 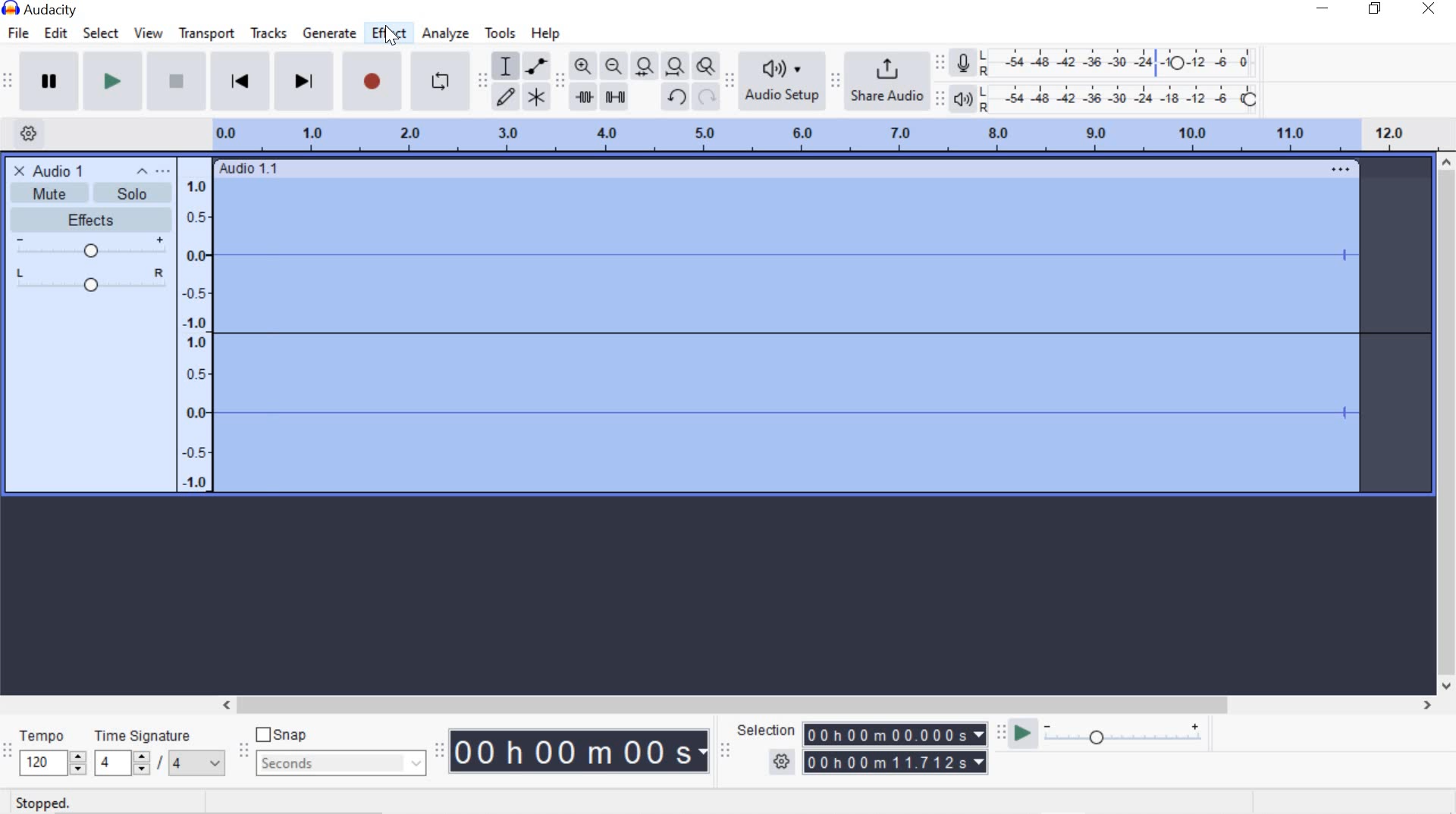 I want to click on CLOSE, so click(x=17, y=170).